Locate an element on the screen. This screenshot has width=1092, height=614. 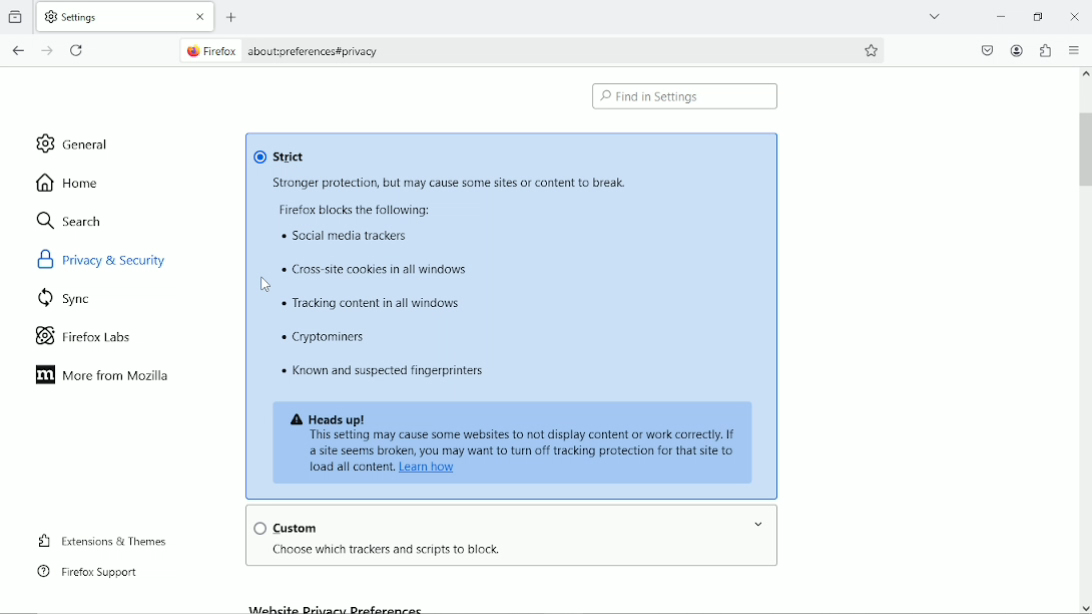
strict is located at coordinates (295, 158).